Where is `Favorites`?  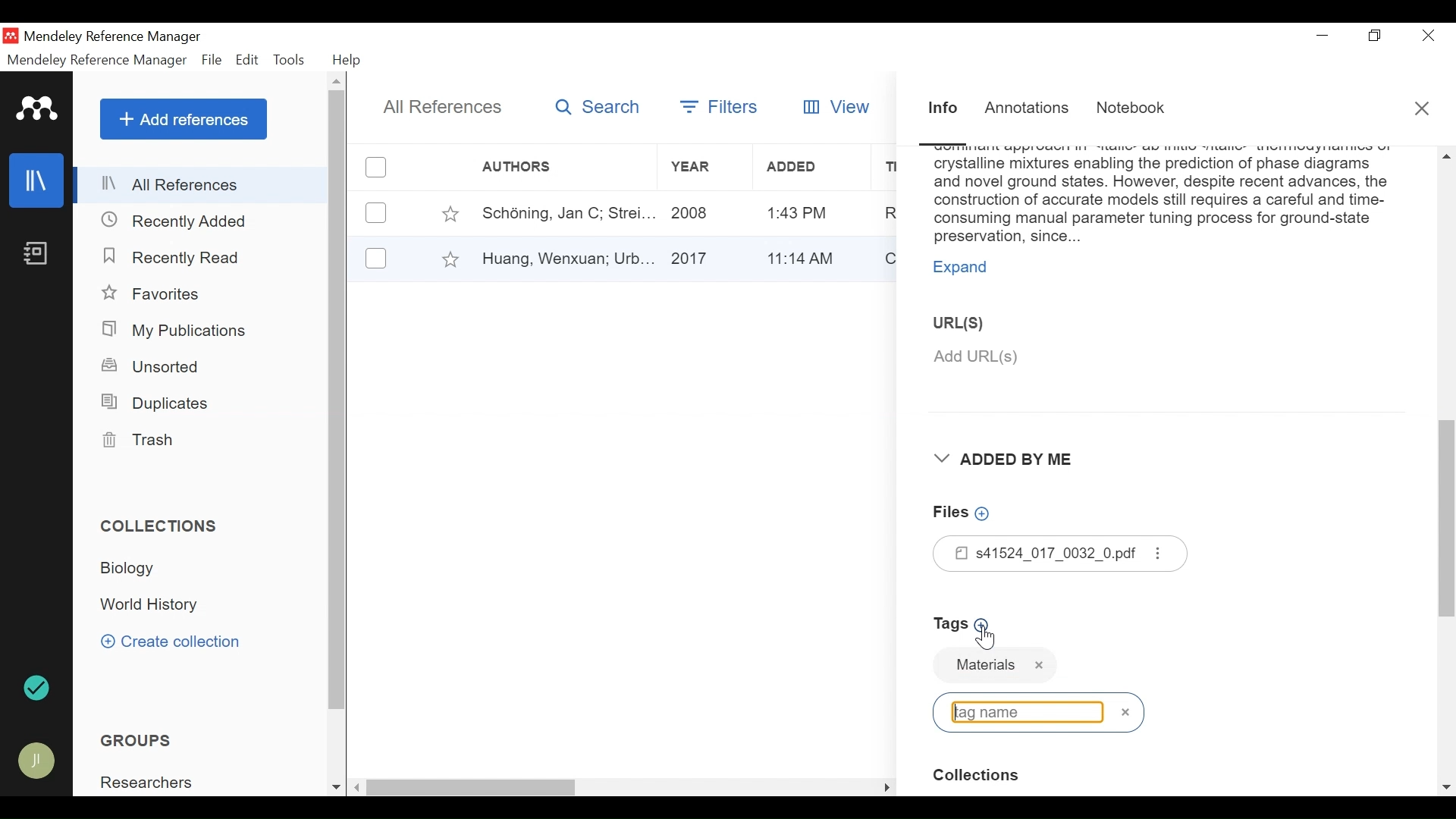
Favorites is located at coordinates (156, 294).